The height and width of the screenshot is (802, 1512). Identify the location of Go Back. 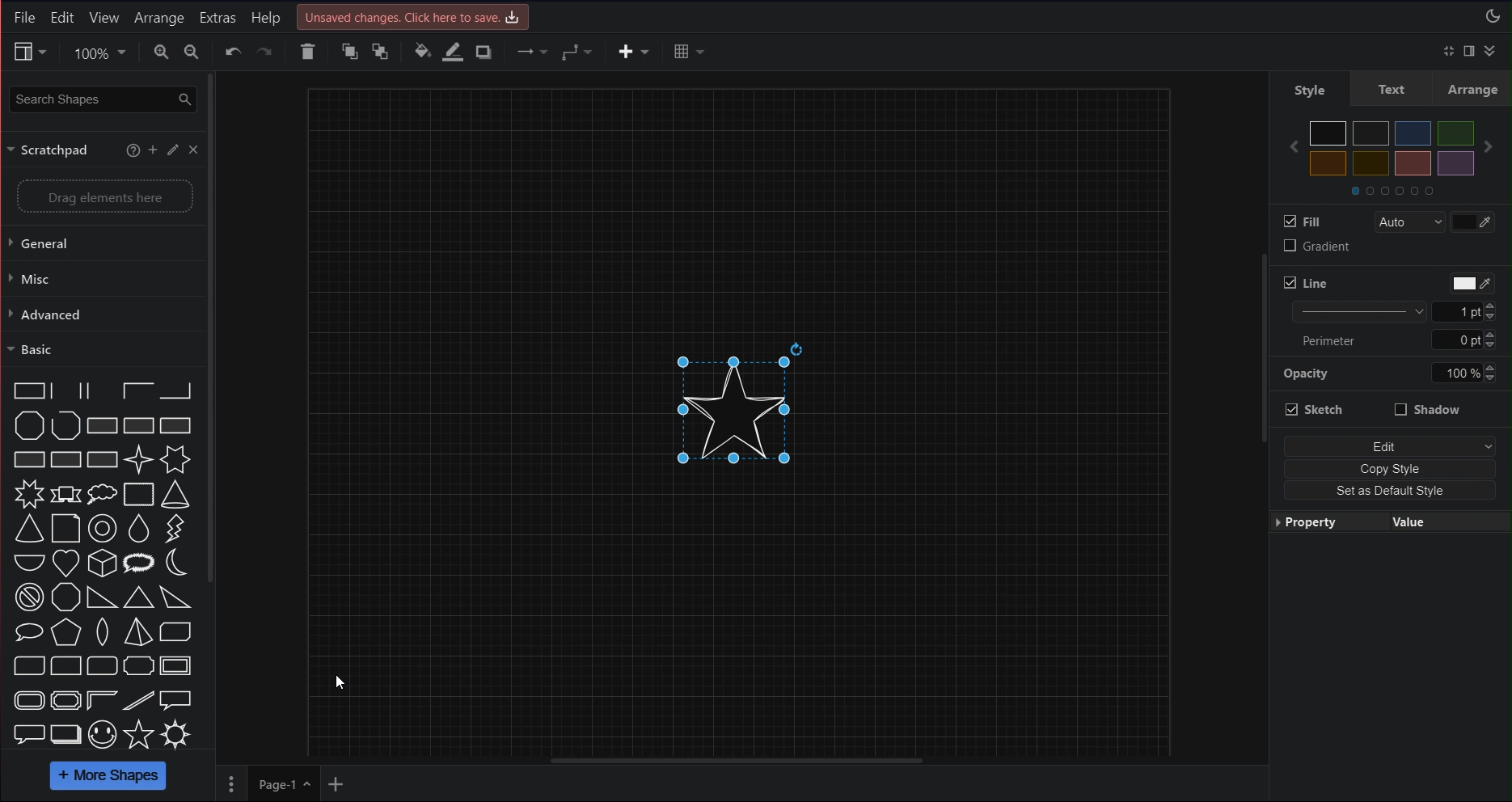
(1290, 146).